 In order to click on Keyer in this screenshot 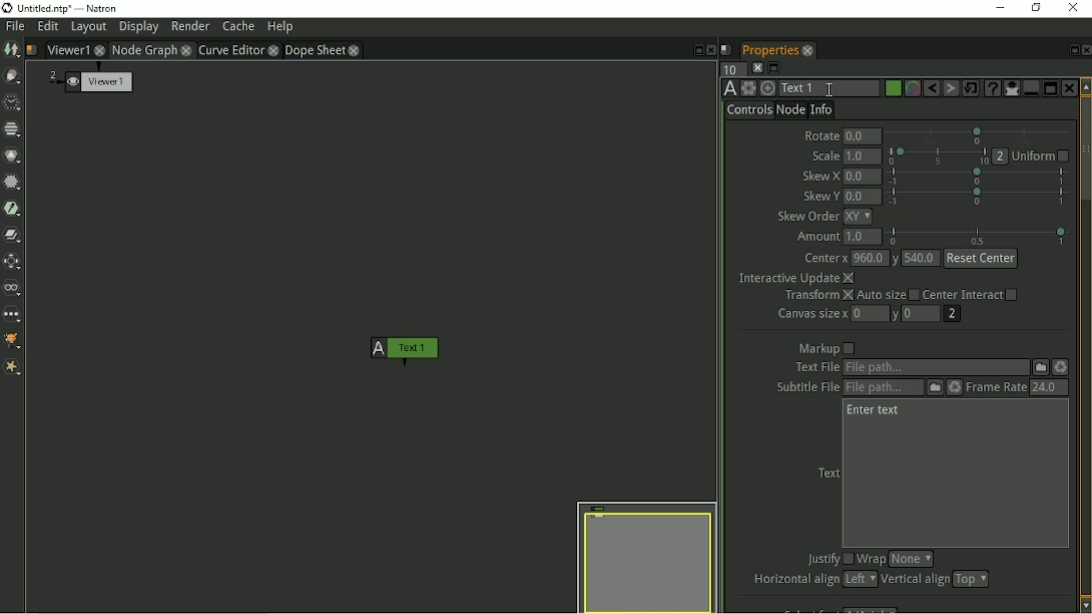, I will do `click(14, 209)`.